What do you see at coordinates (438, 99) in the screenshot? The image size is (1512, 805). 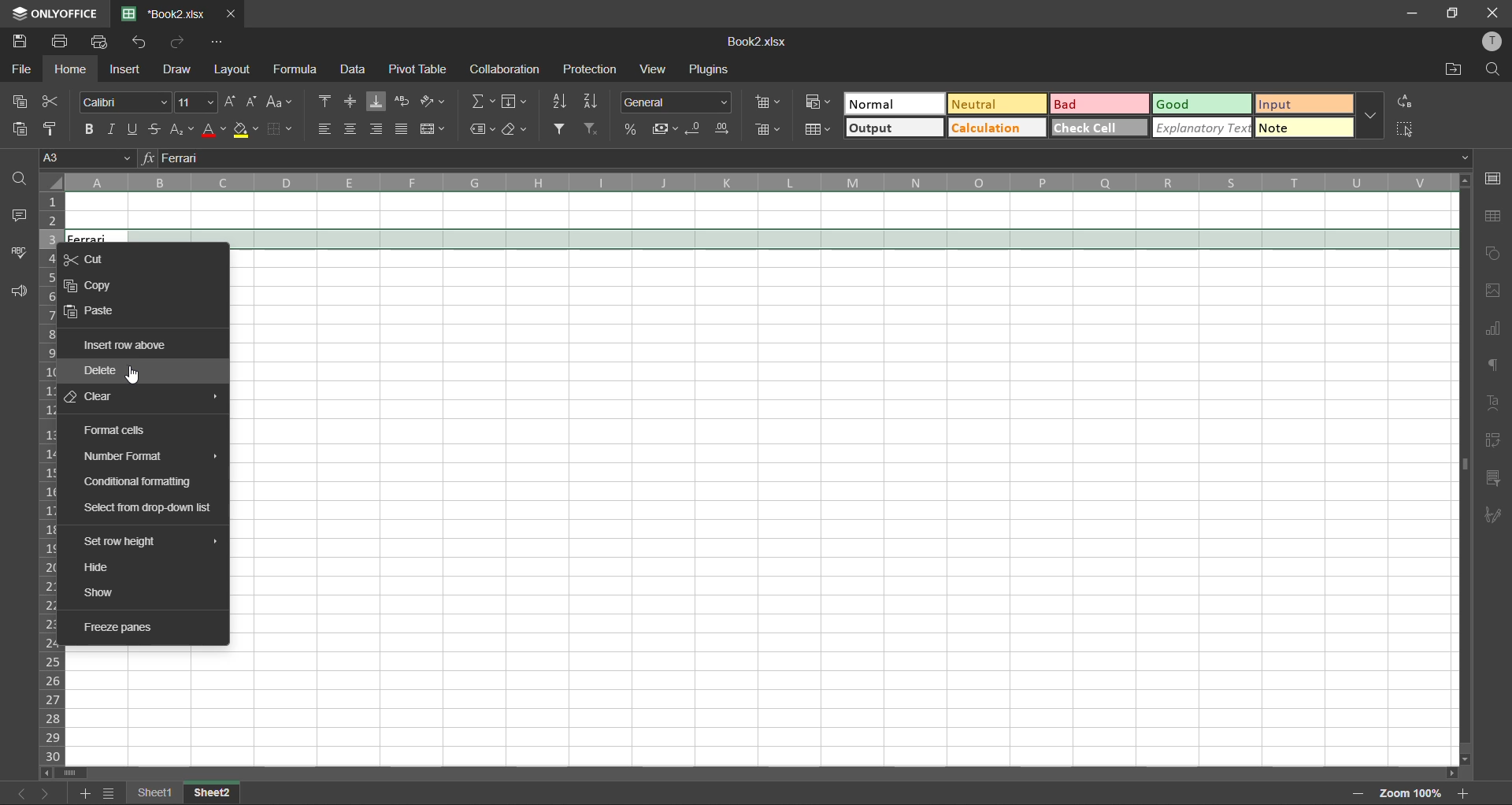 I see `orientation` at bounding box center [438, 99].